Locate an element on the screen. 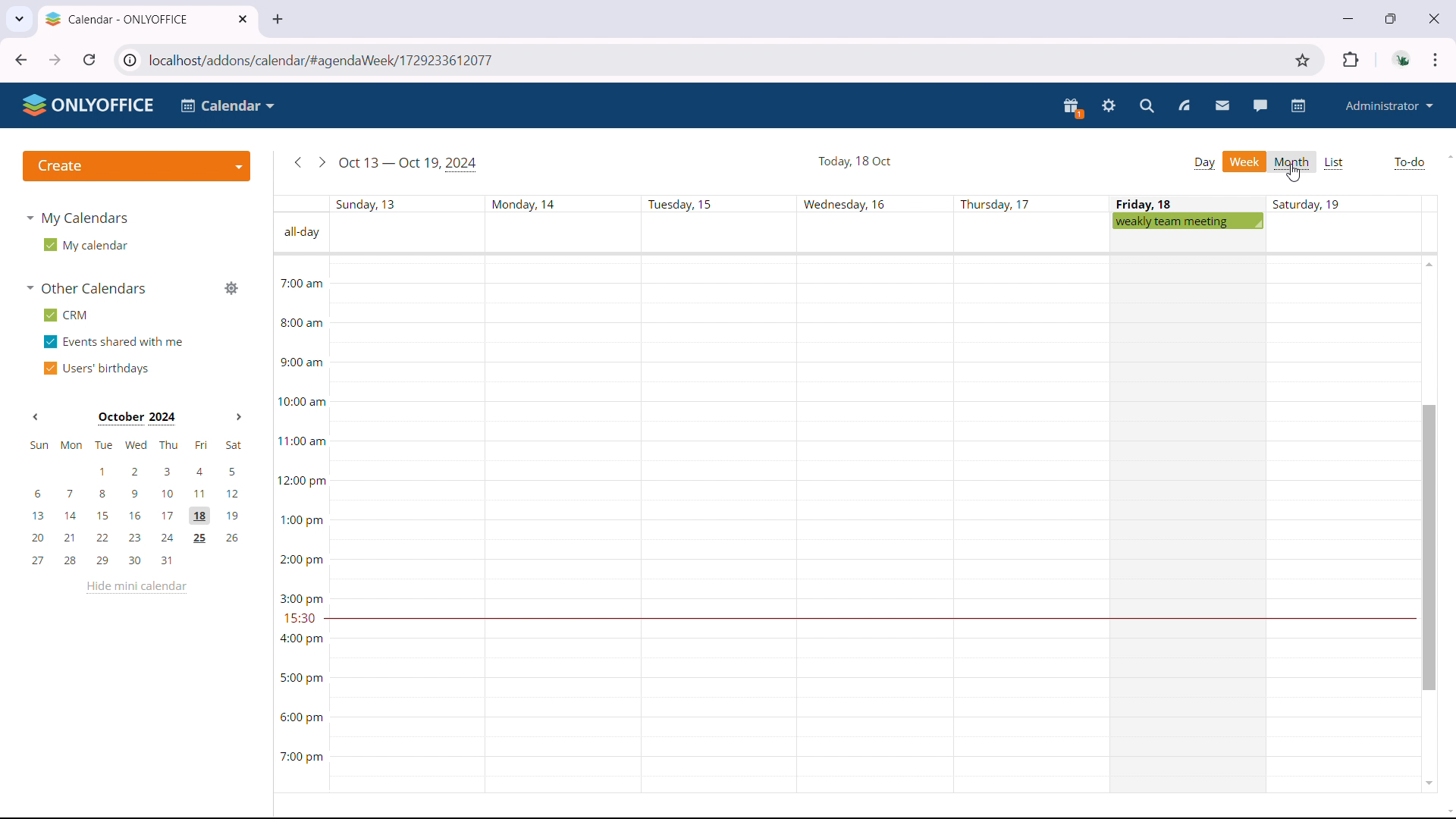 This screenshot has width=1456, height=819. list view is located at coordinates (1335, 163).